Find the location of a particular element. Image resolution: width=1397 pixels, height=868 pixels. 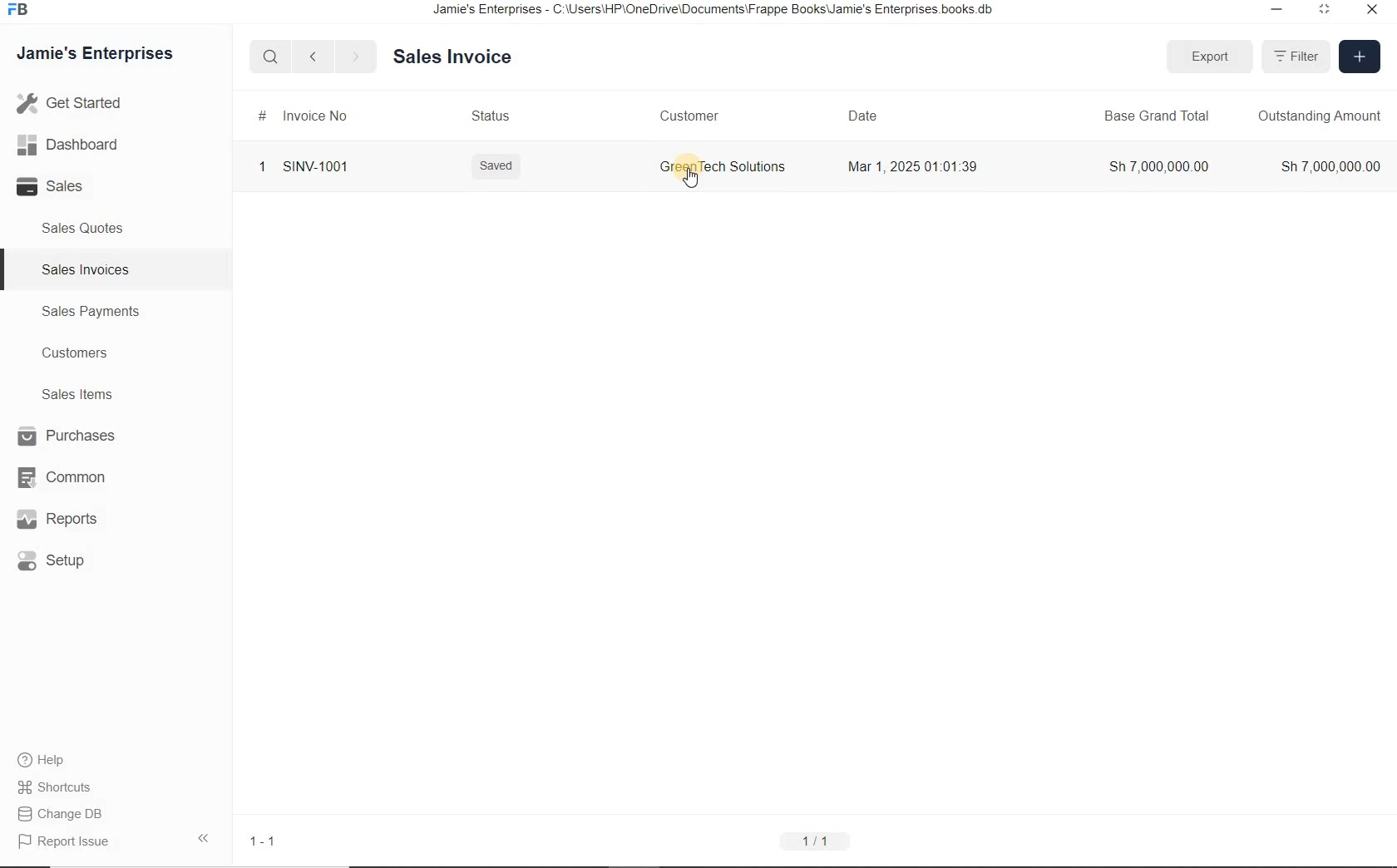

Customers is located at coordinates (72, 353).